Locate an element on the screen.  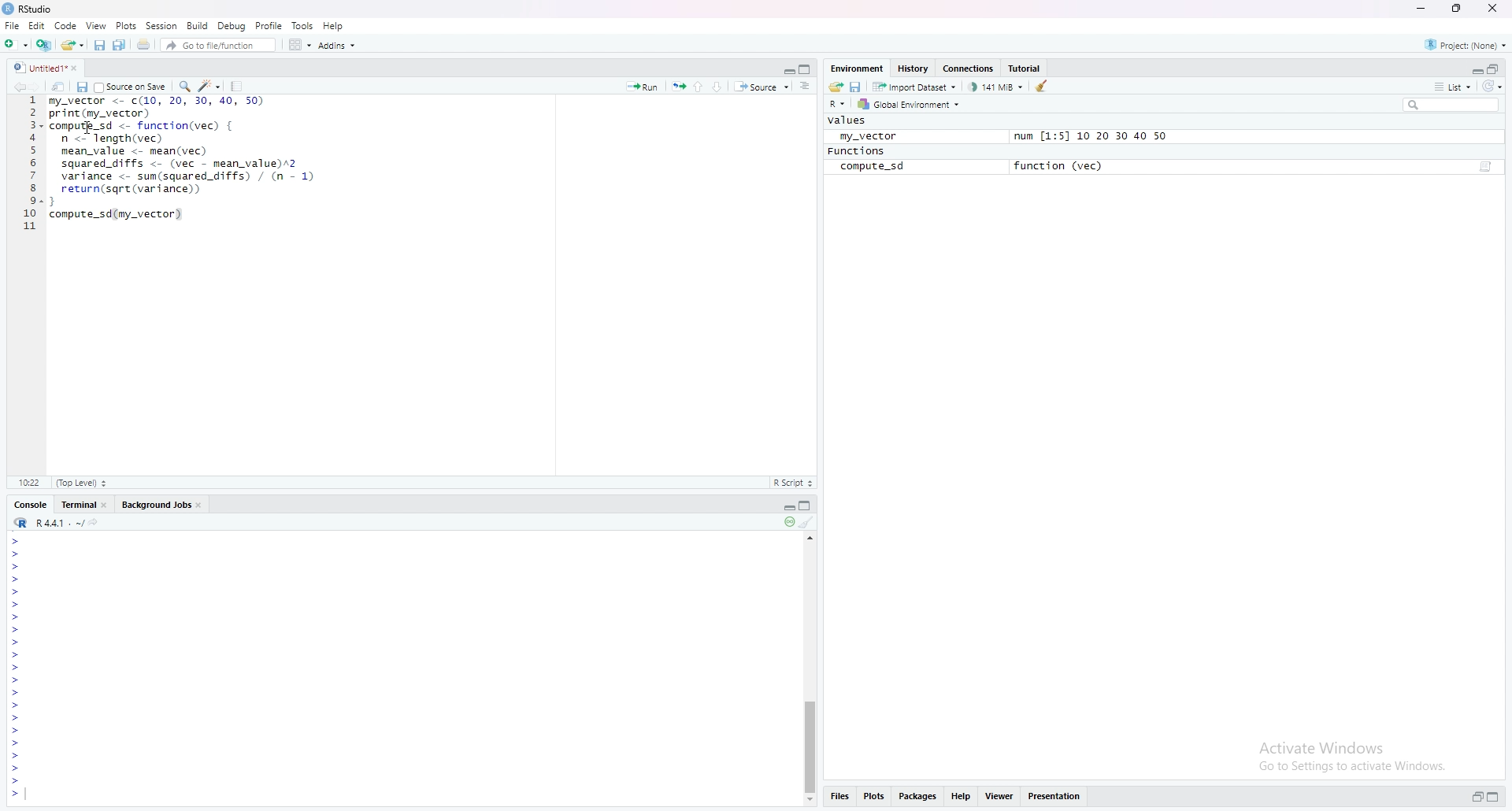
Maximize is located at coordinates (1493, 796).